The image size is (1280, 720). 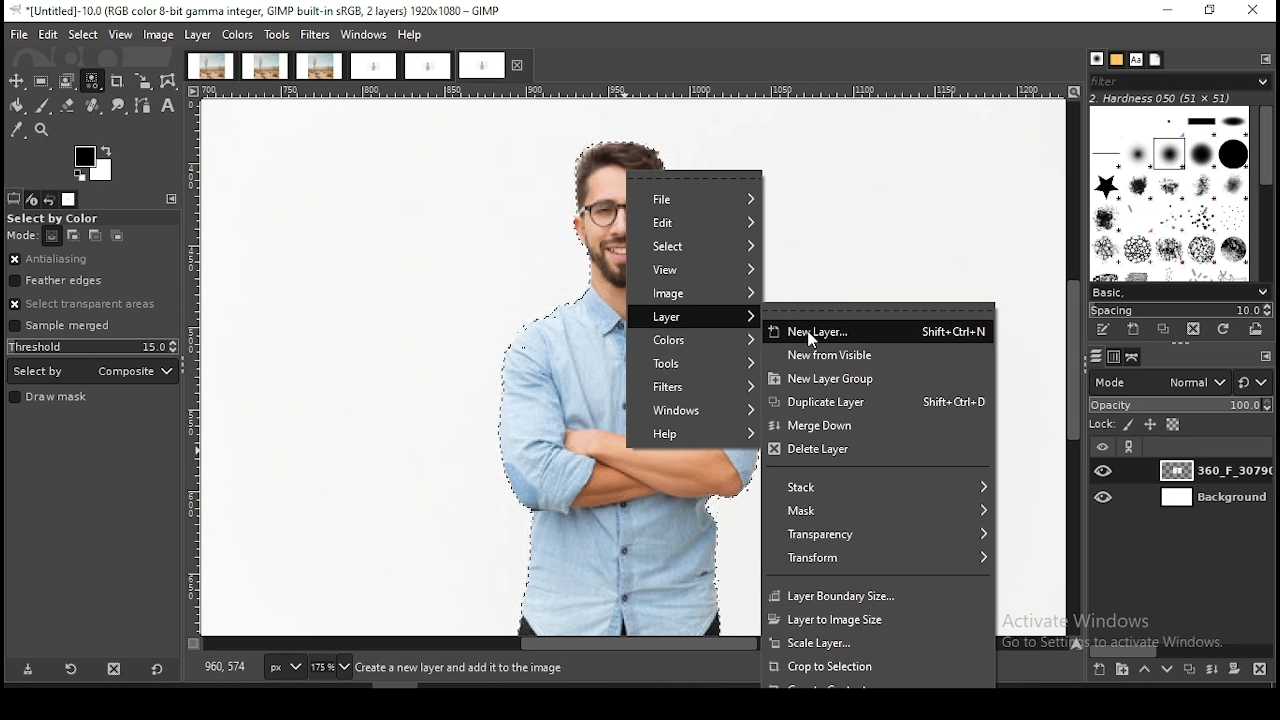 I want to click on layer, so click(x=1212, y=470).